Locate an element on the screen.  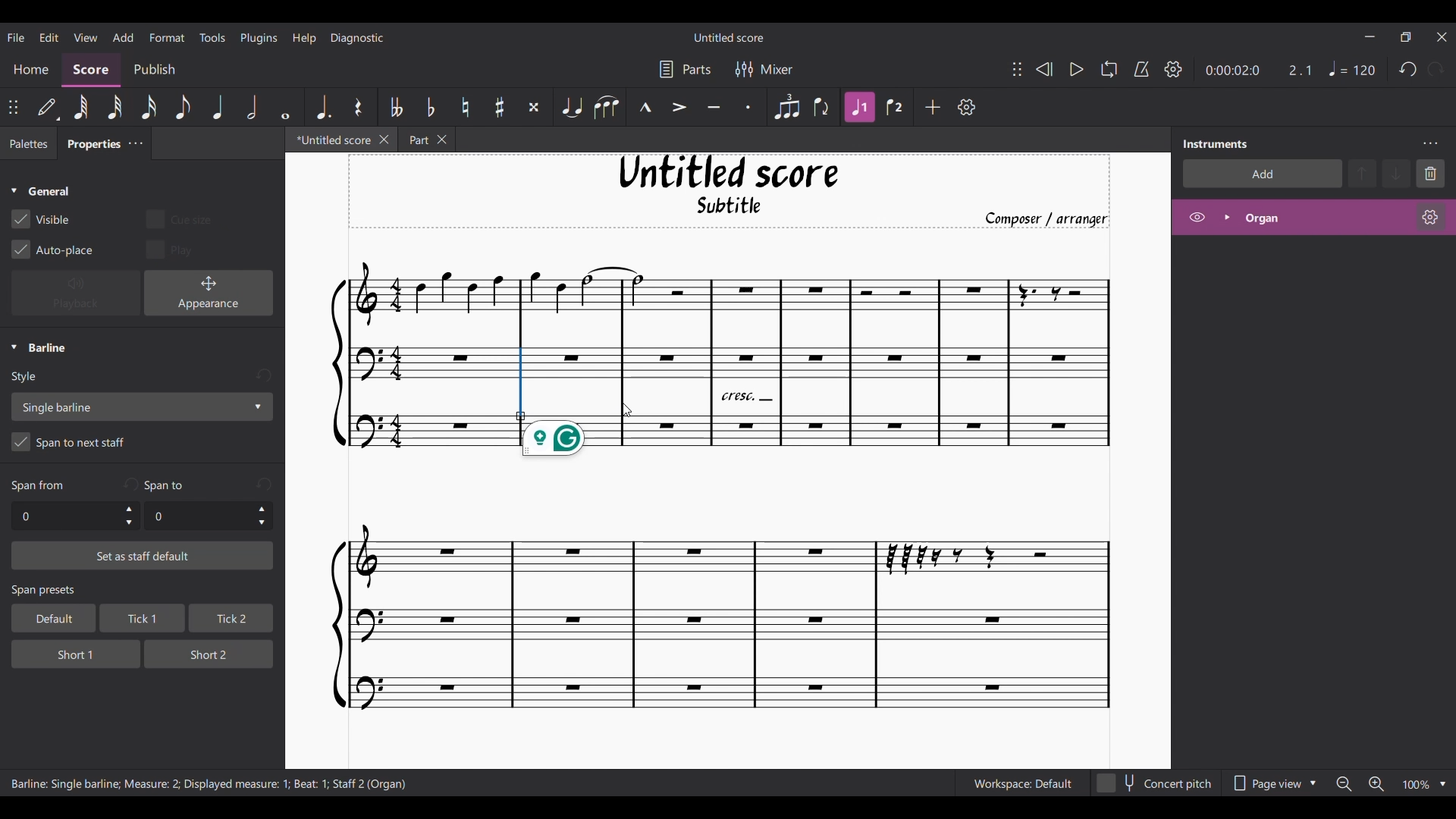
Type in Span to is located at coordinates (197, 516).